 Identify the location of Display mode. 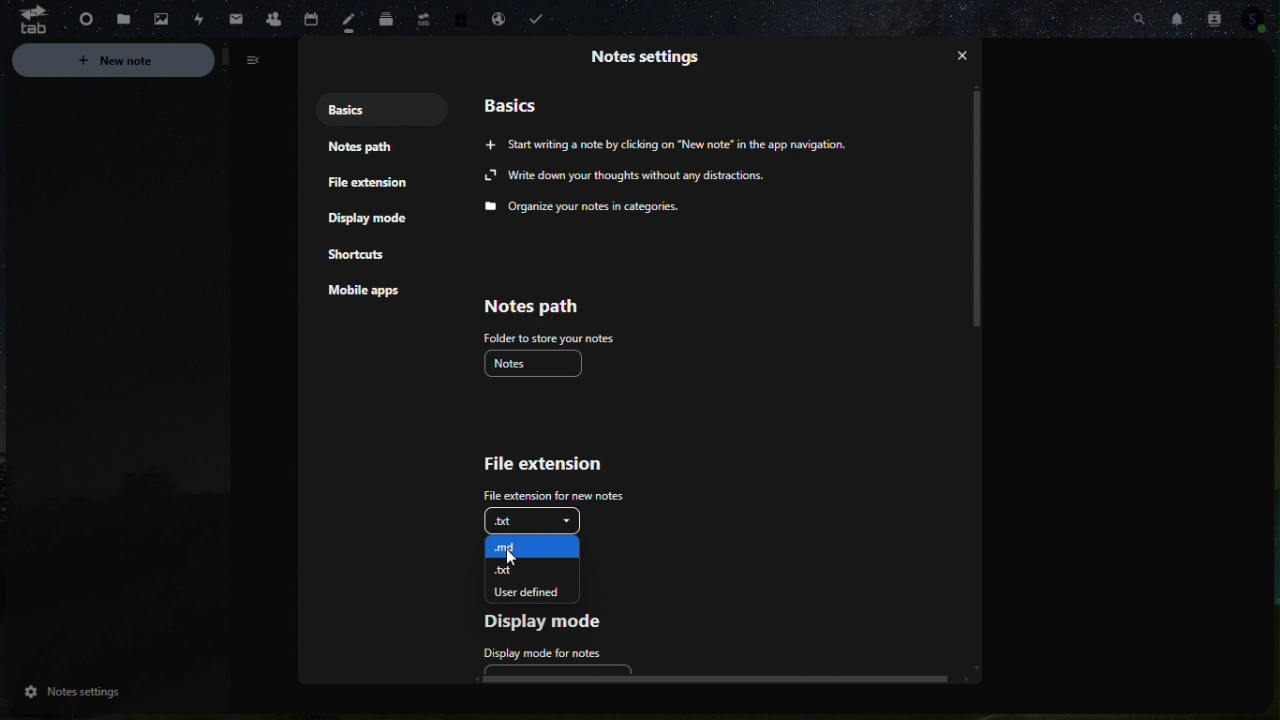
(547, 624).